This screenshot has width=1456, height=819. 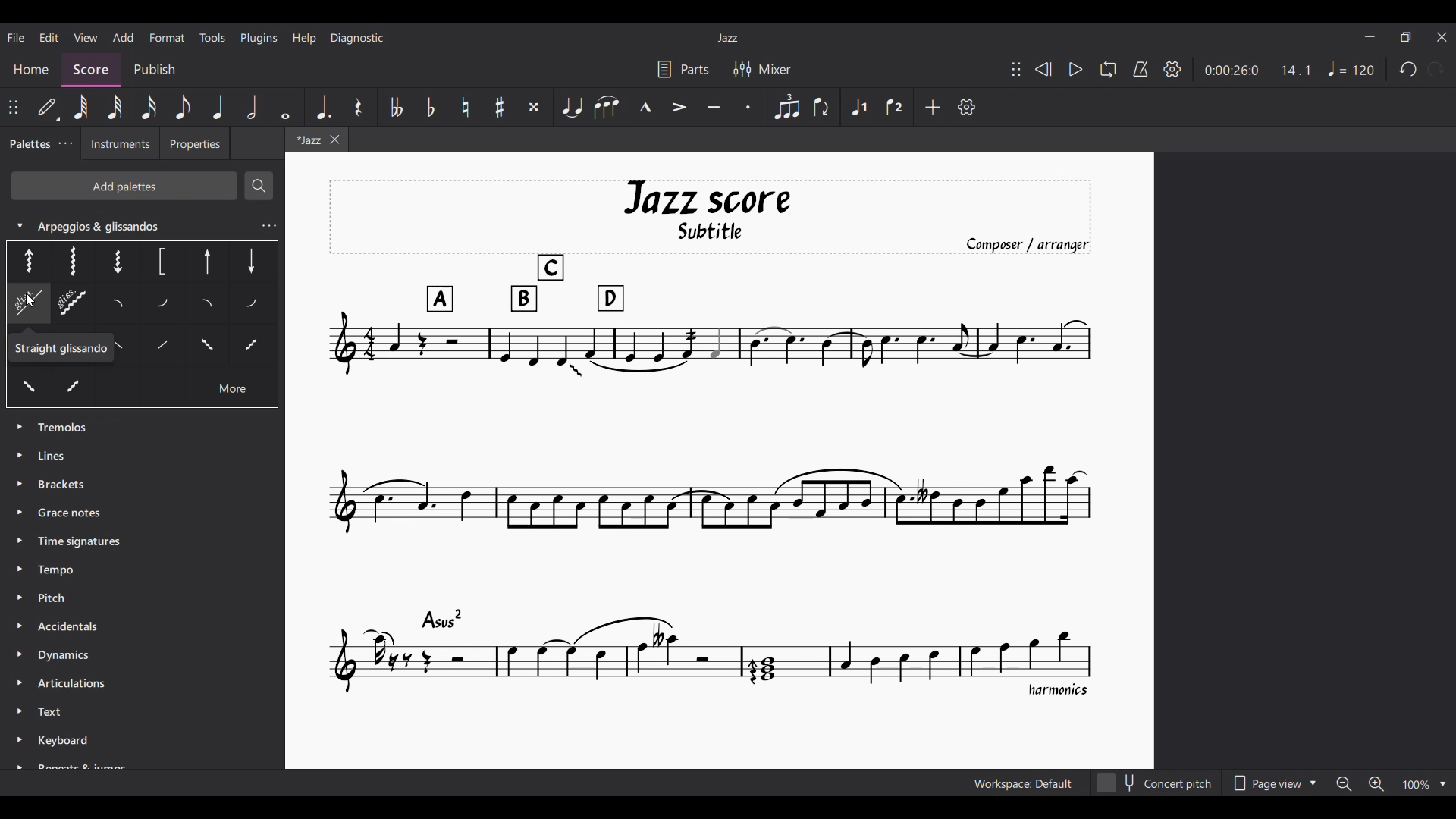 I want to click on 8th note, so click(x=184, y=107).